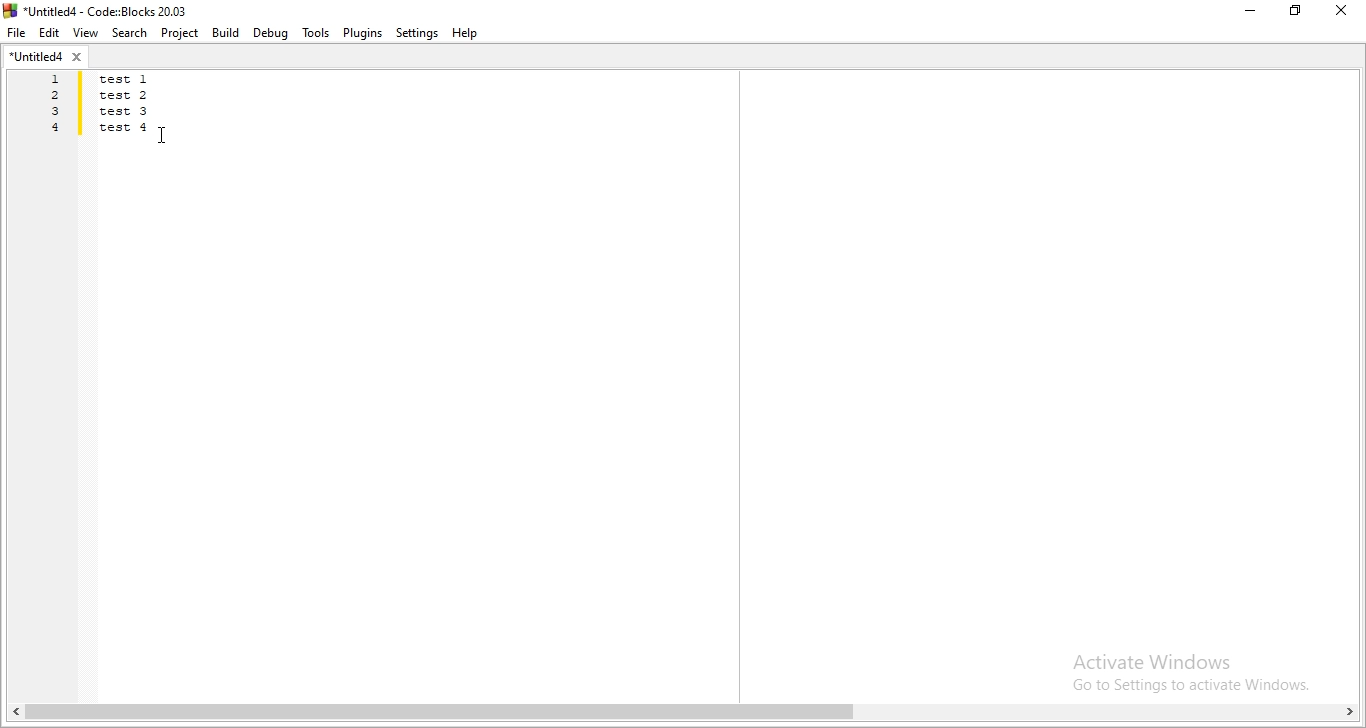 The width and height of the screenshot is (1366, 728). What do you see at coordinates (1297, 14) in the screenshot?
I see `Restore` at bounding box center [1297, 14].